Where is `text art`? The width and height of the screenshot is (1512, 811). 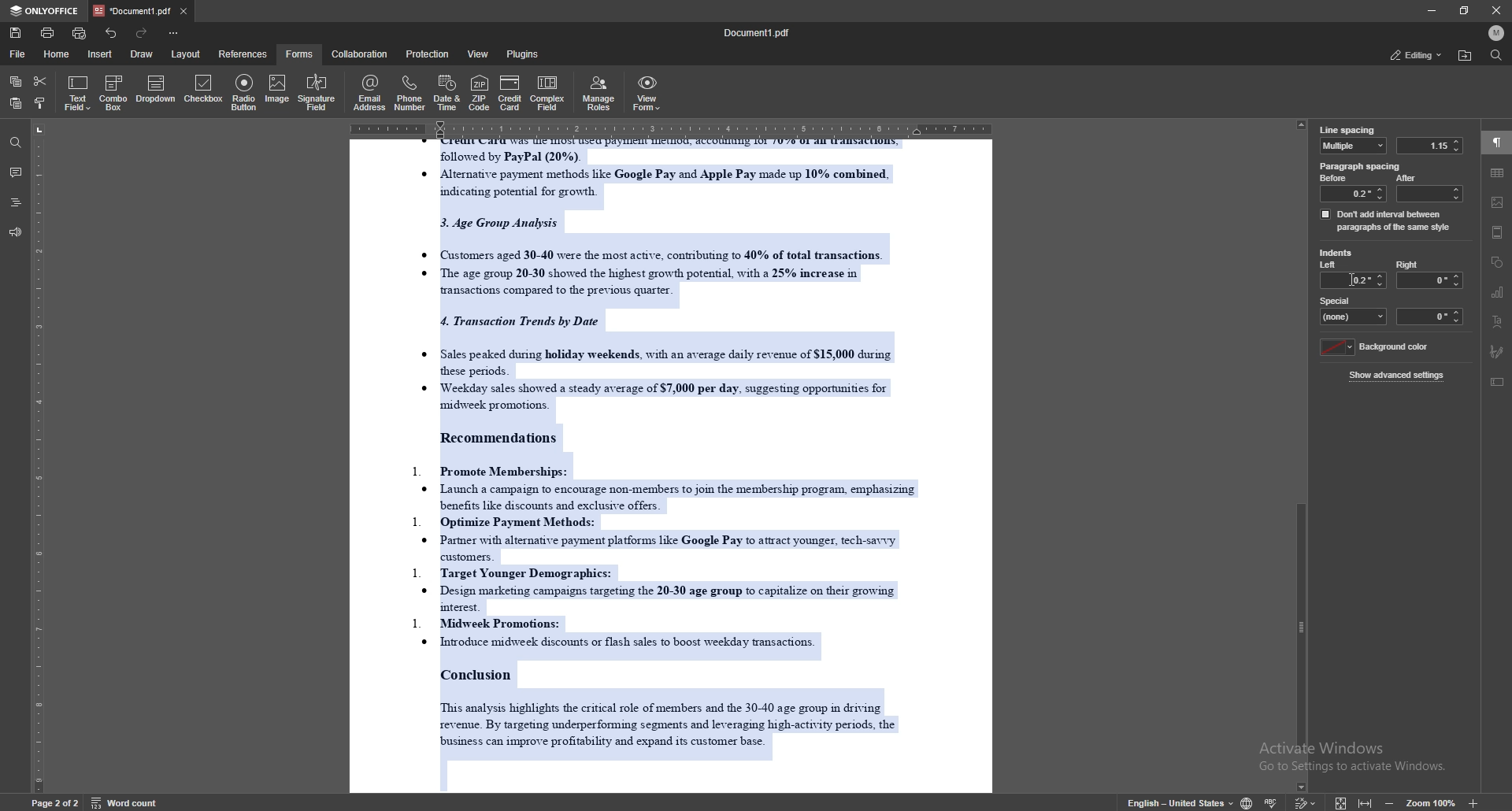
text art is located at coordinates (1496, 322).